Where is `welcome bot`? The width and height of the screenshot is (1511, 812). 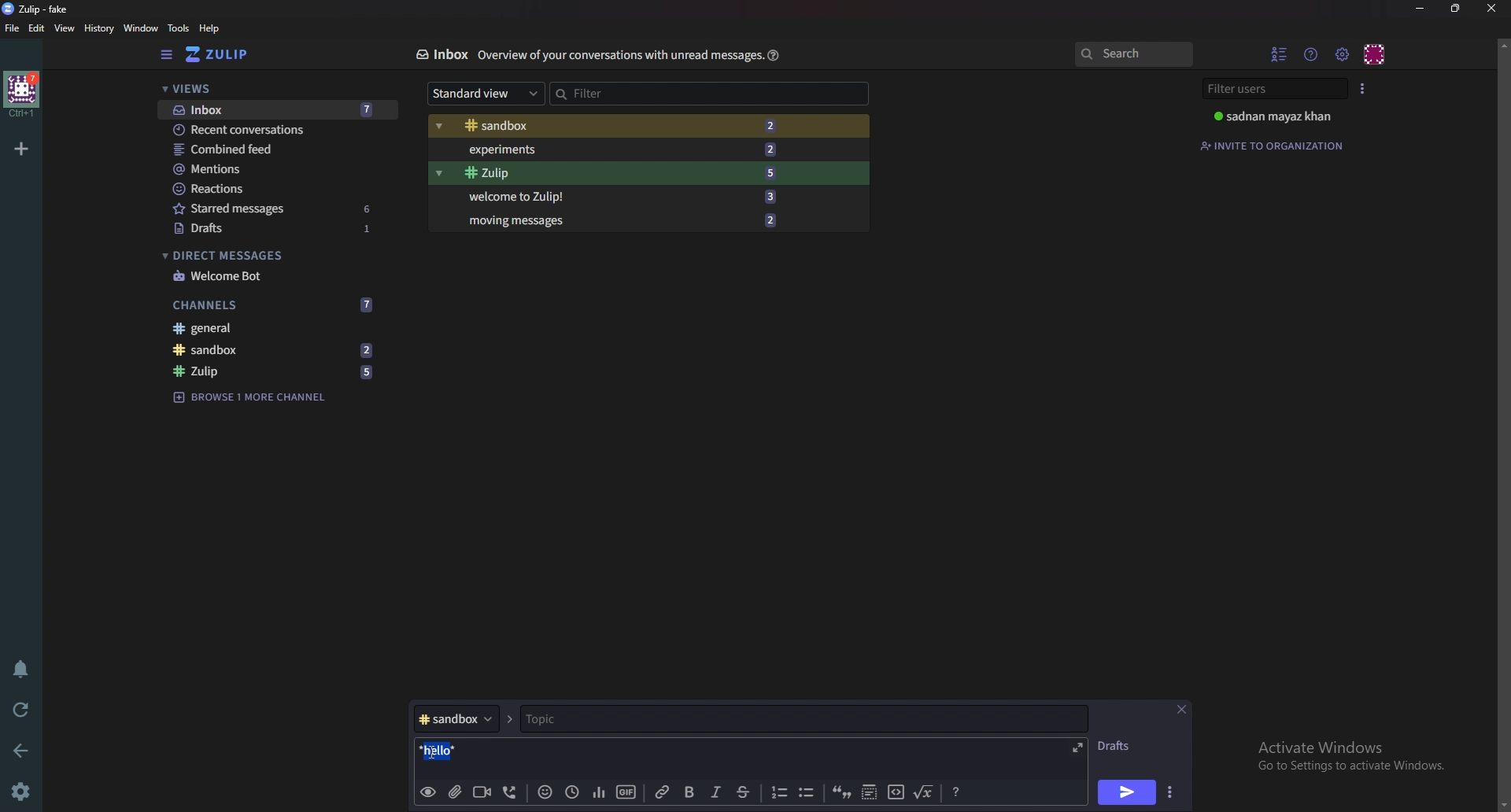
welcome bot is located at coordinates (273, 275).